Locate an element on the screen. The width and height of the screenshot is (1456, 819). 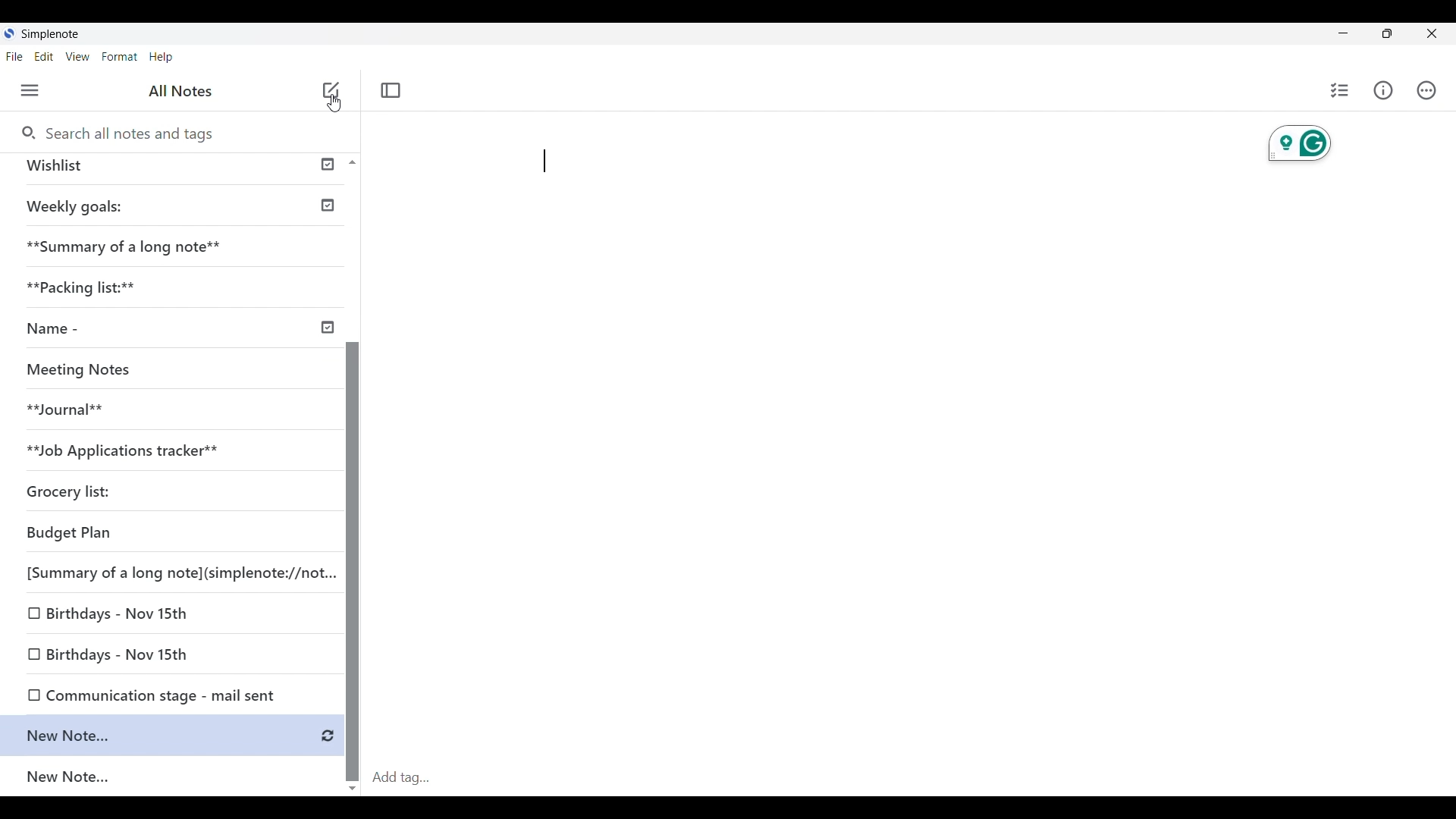
Grocery list: is located at coordinates (67, 493).